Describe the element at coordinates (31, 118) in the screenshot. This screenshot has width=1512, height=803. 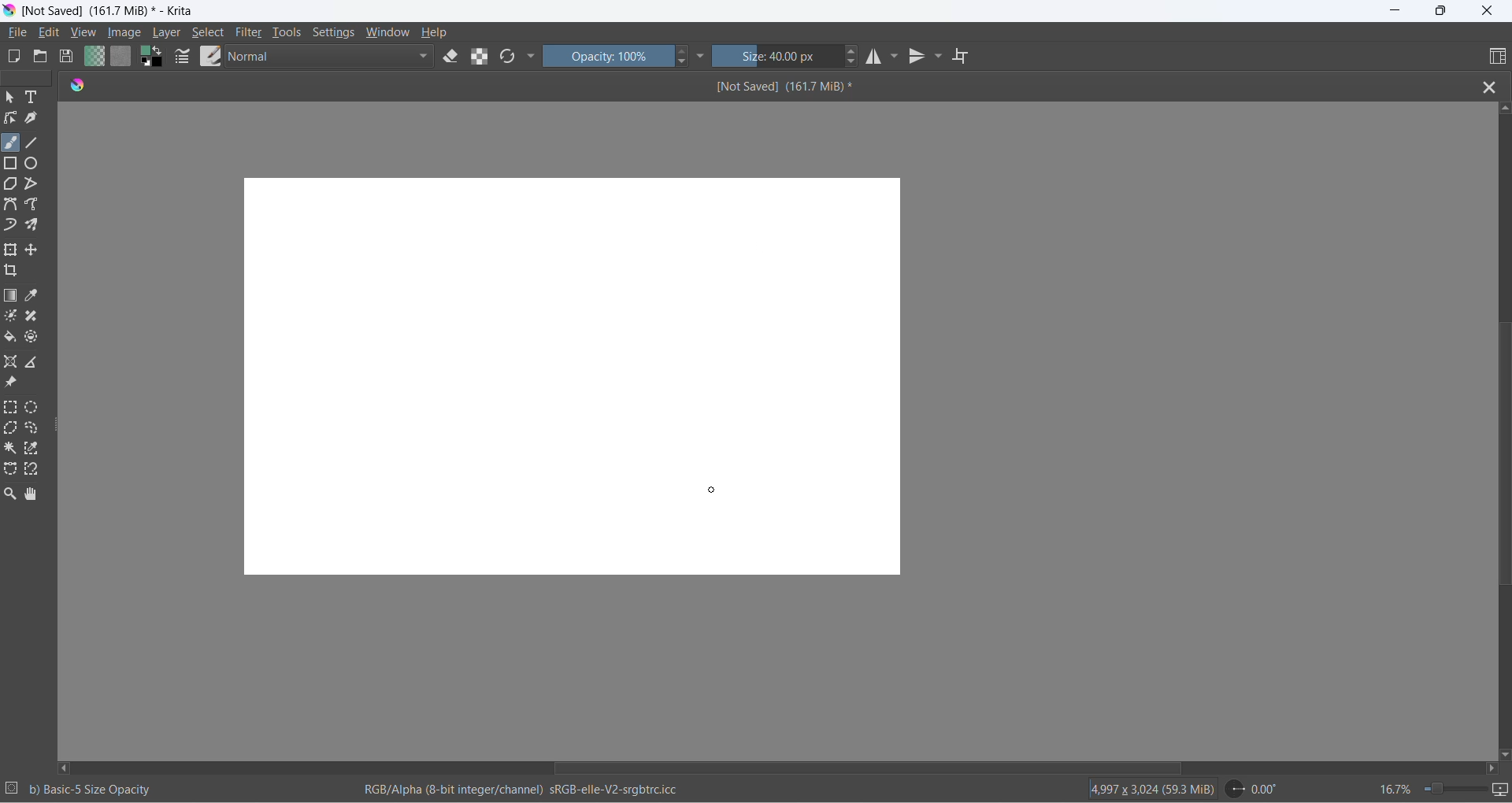
I see `calligraphy` at that location.